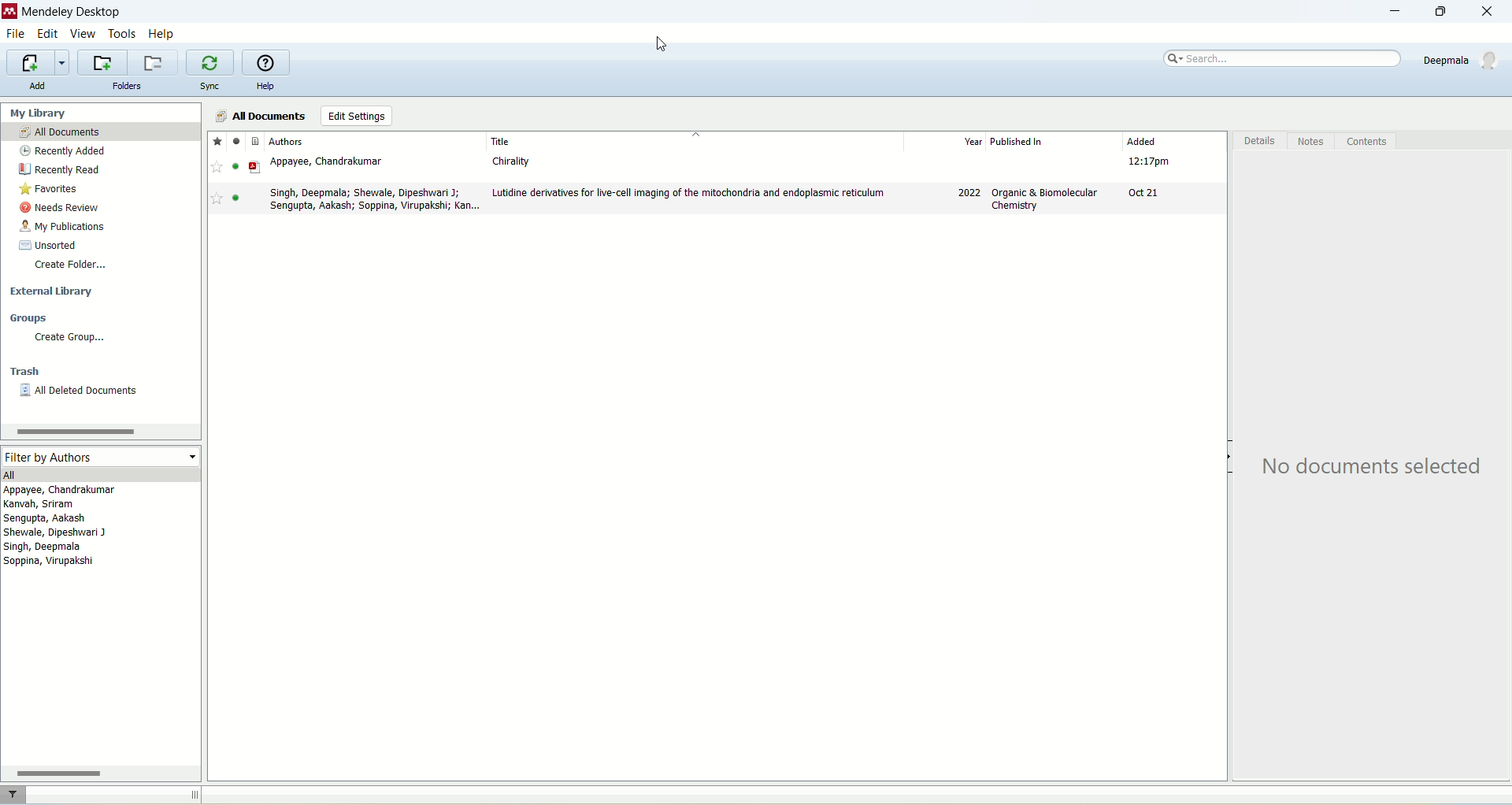 The width and height of the screenshot is (1512, 805). What do you see at coordinates (1364, 142) in the screenshot?
I see `contents` at bounding box center [1364, 142].